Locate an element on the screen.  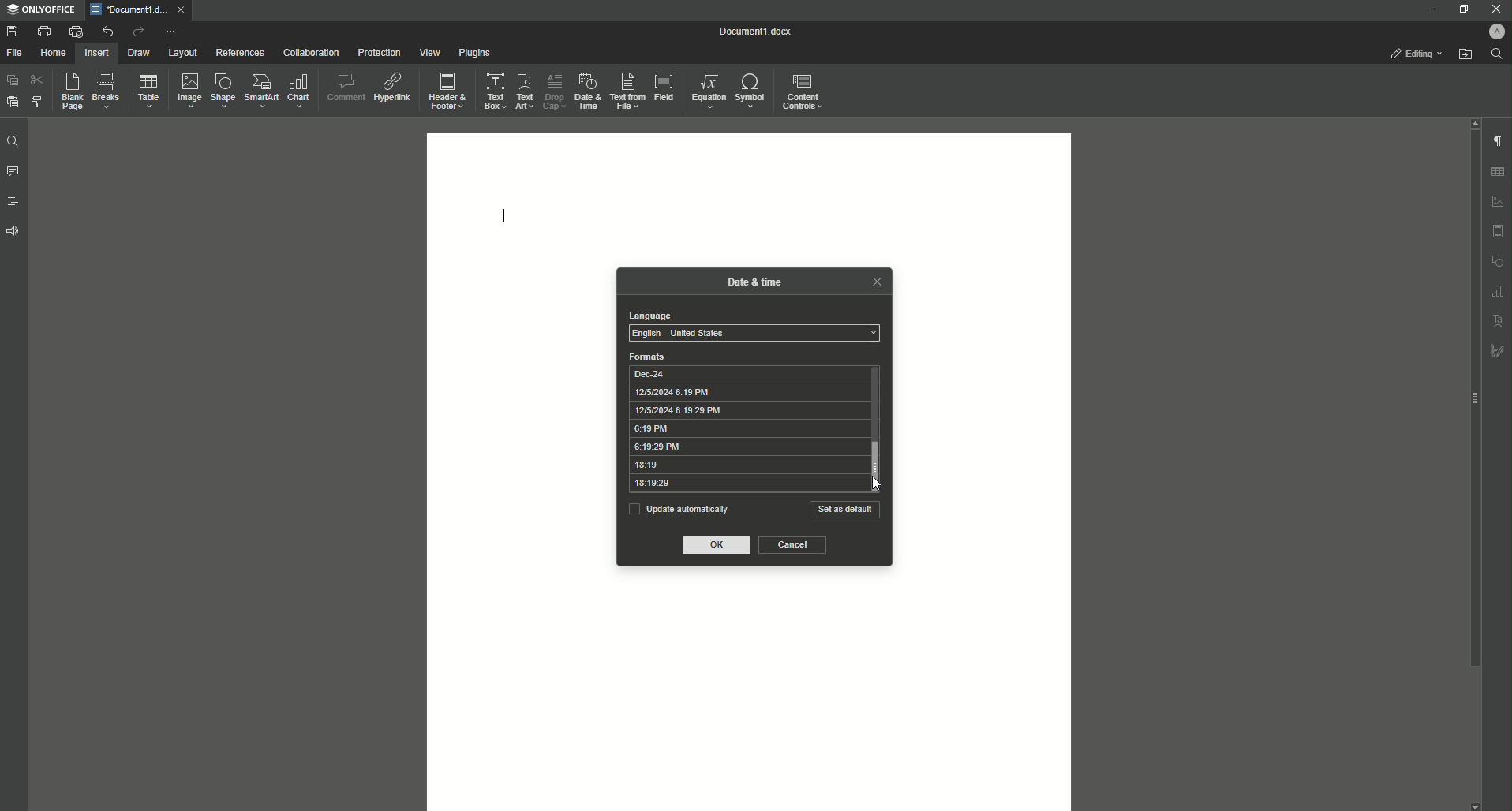
Controls is located at coordinates (806, 91).